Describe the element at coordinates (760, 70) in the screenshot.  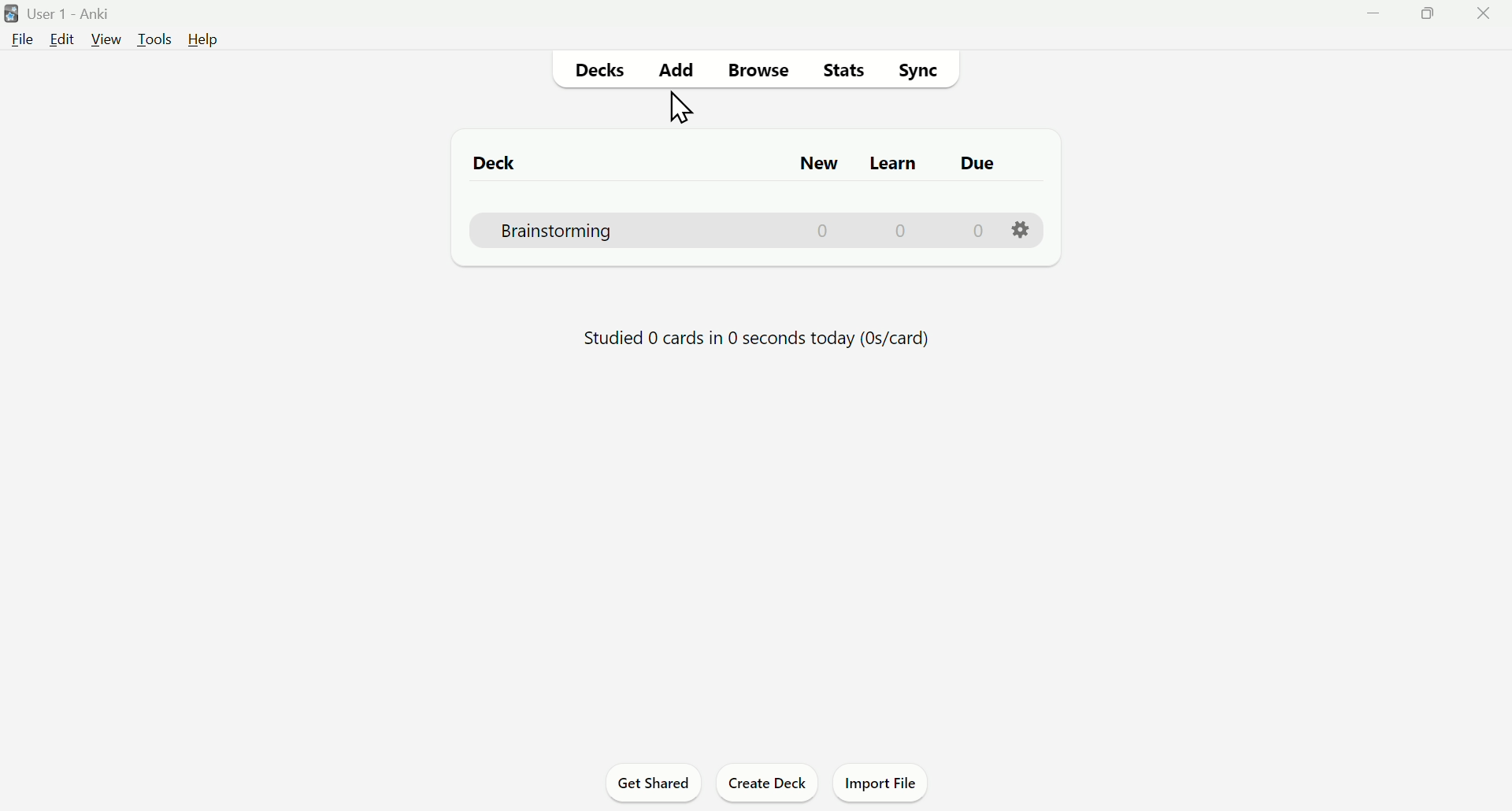
I see `Browse` at that location.